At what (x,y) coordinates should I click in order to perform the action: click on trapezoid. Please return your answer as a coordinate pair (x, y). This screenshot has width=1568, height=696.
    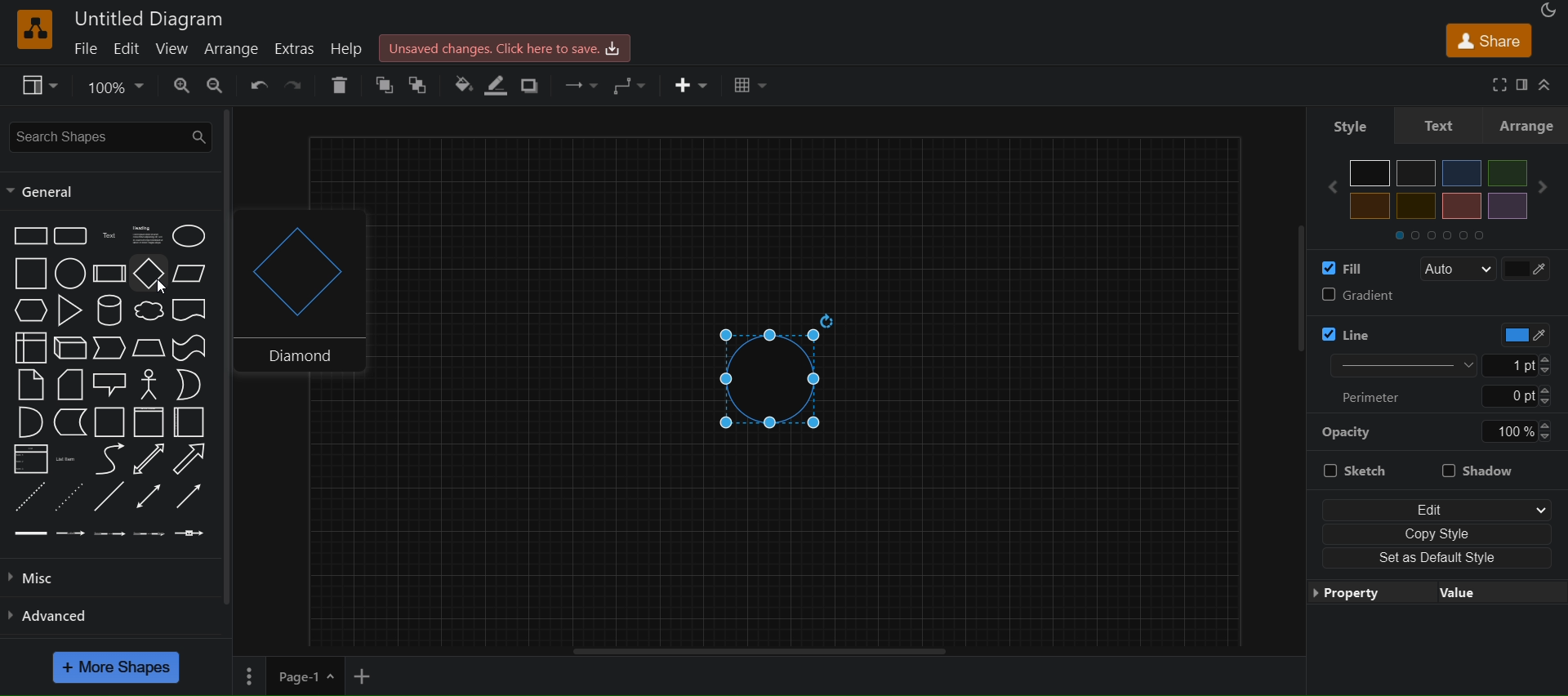
    Looking at the image, I should click on (149, 348).